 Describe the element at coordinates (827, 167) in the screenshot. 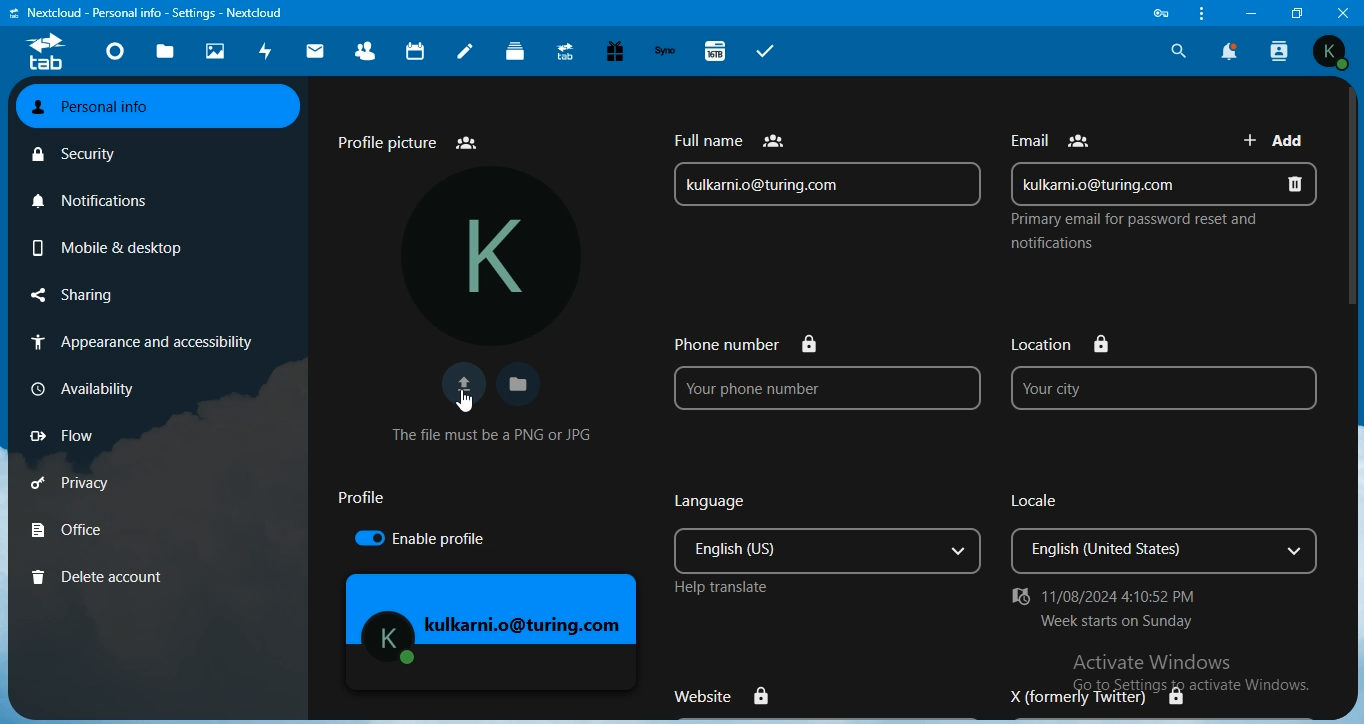

I see `full name` at that location.